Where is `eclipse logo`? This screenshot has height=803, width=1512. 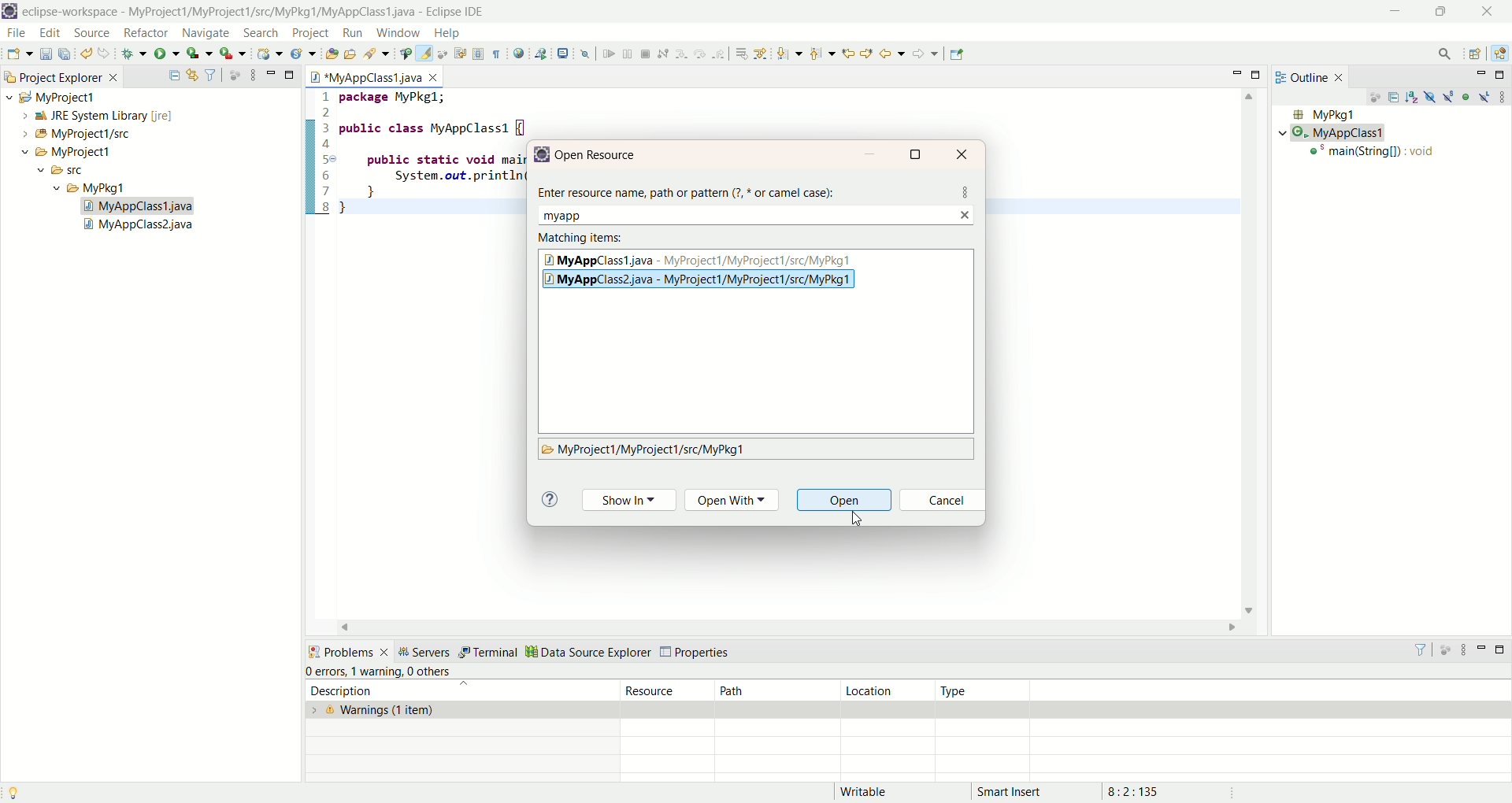 eclipse logo is located at coordinates (541, 154).